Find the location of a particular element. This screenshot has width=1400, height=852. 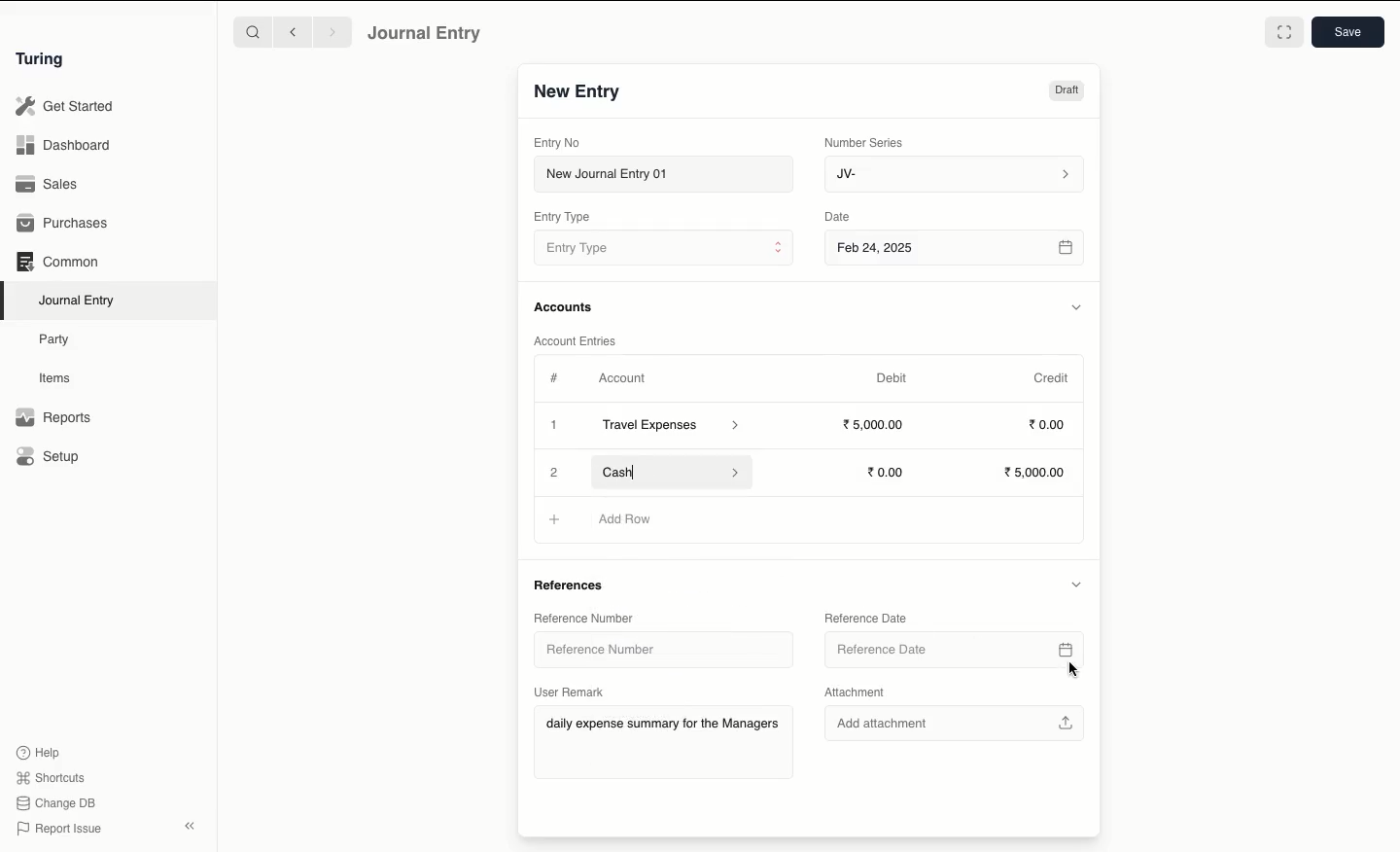

New Journal Entry 01 is located at coordinates (662, 173).